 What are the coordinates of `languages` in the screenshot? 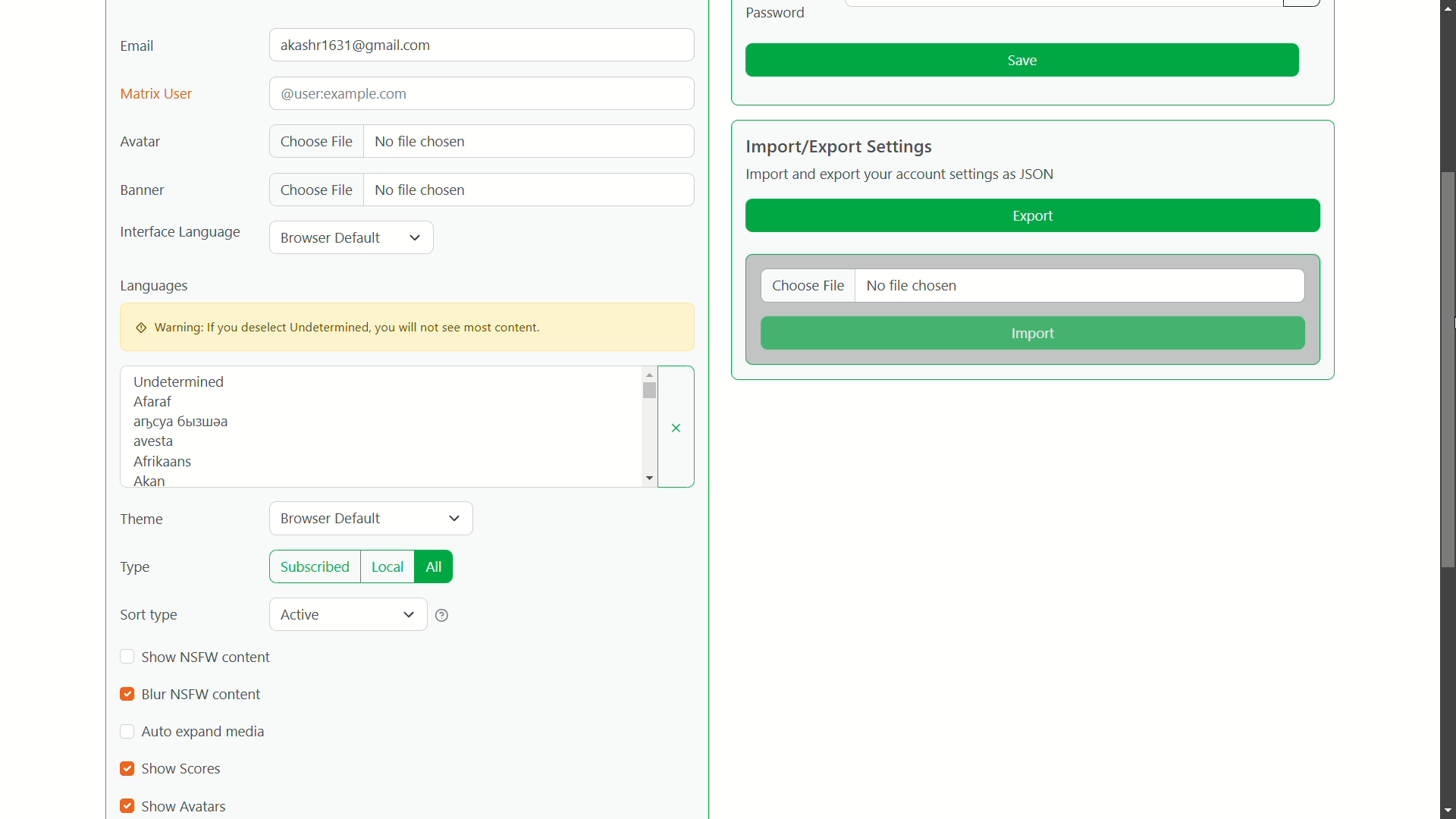 It's located at (155, 286).